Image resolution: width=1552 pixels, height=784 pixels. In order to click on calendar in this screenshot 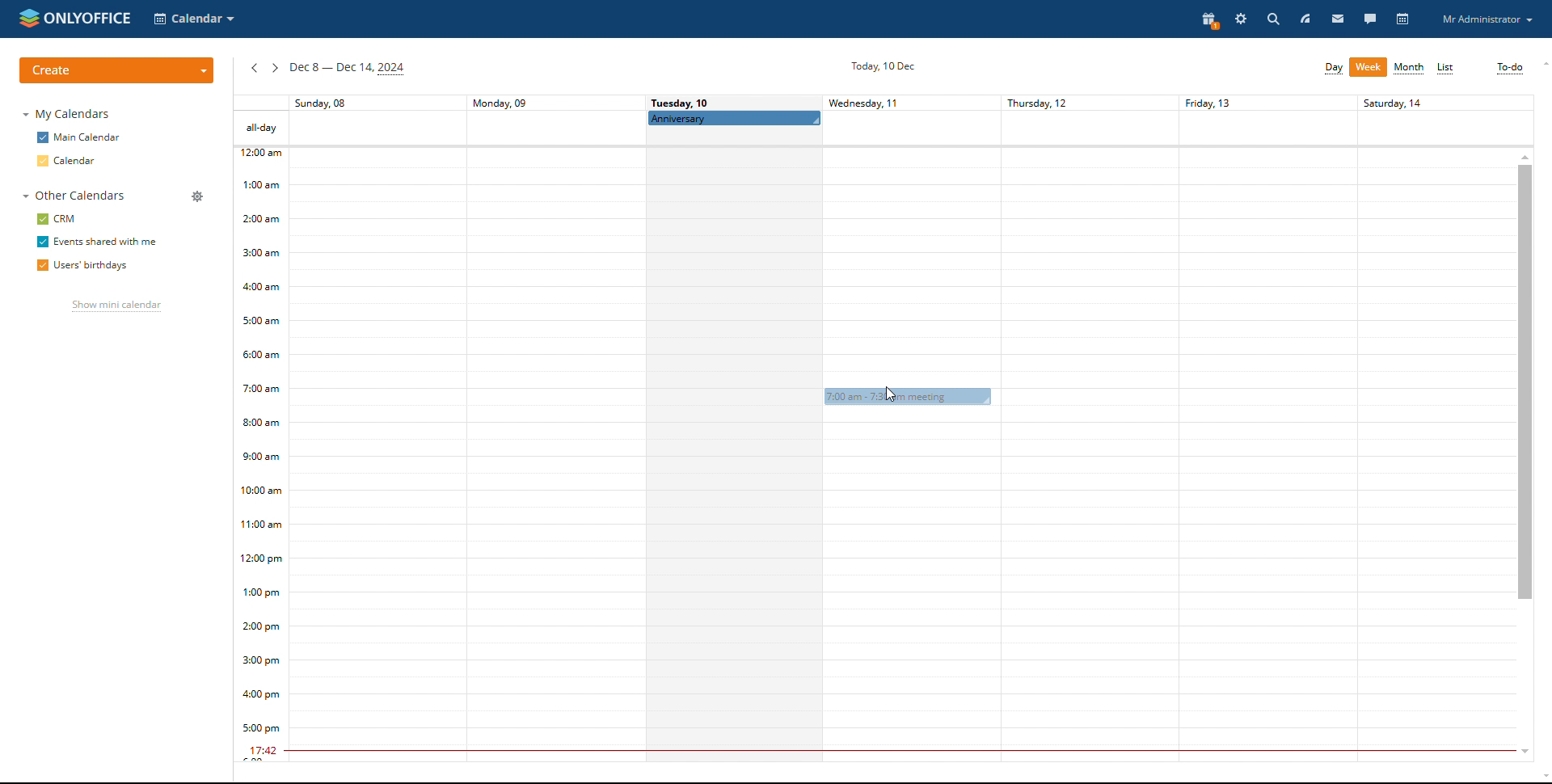, I will do `click(69, 160)`.